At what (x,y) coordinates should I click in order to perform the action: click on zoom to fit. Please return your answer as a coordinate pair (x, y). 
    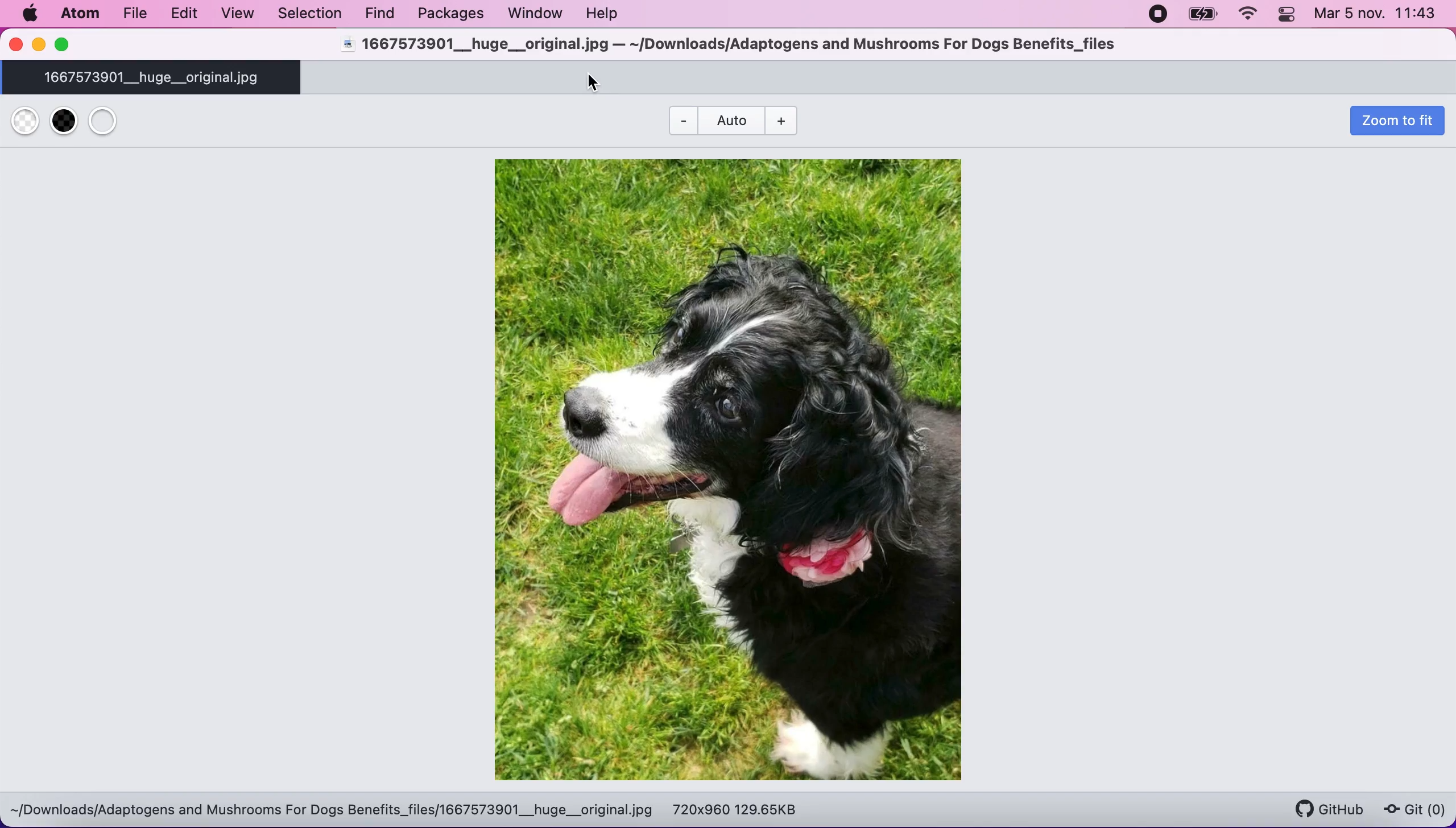
    Looking at the image, I should click on (1392, 124).